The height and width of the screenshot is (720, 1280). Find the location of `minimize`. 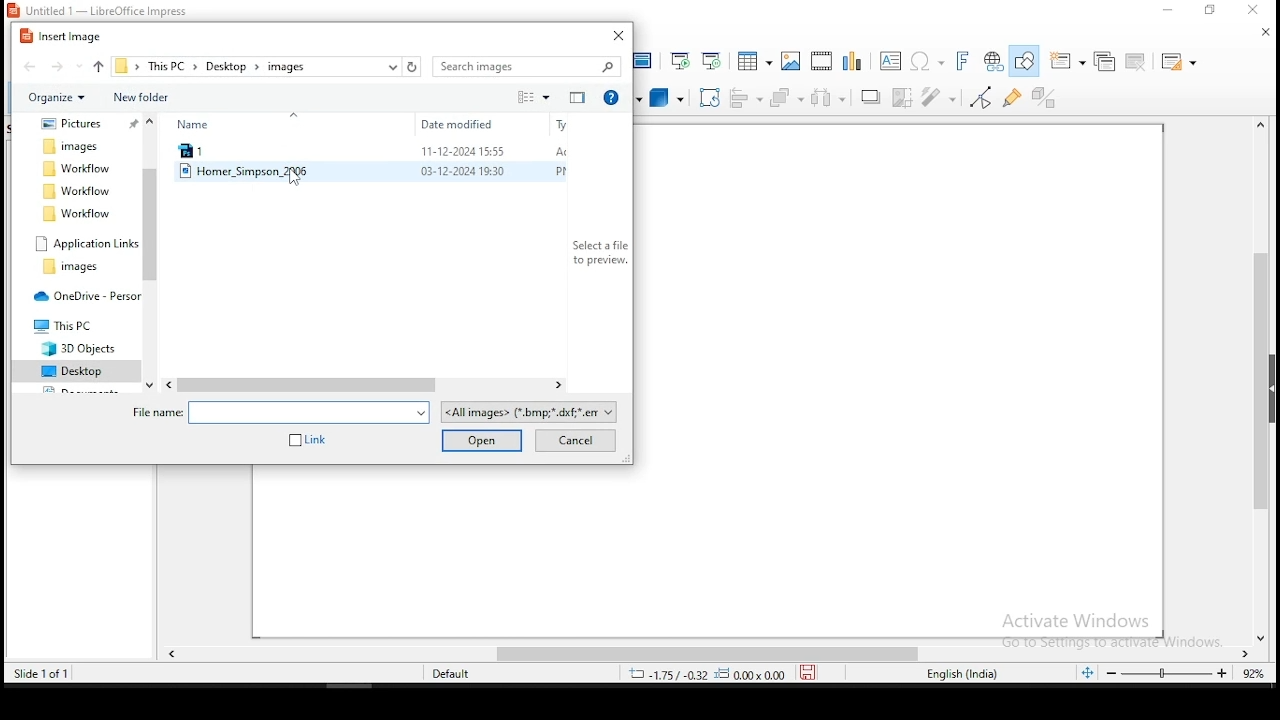

minimize is located at coordinates (1169, 11).